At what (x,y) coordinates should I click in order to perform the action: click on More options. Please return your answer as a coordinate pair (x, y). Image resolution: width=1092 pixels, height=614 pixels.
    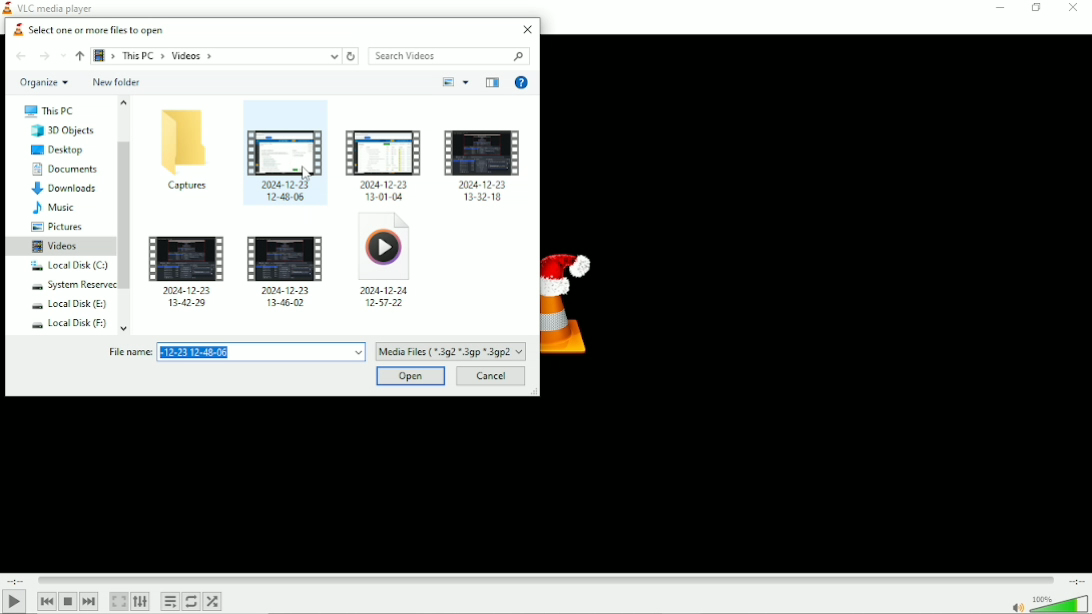
    Looking at the image, I should click on (466, 83).